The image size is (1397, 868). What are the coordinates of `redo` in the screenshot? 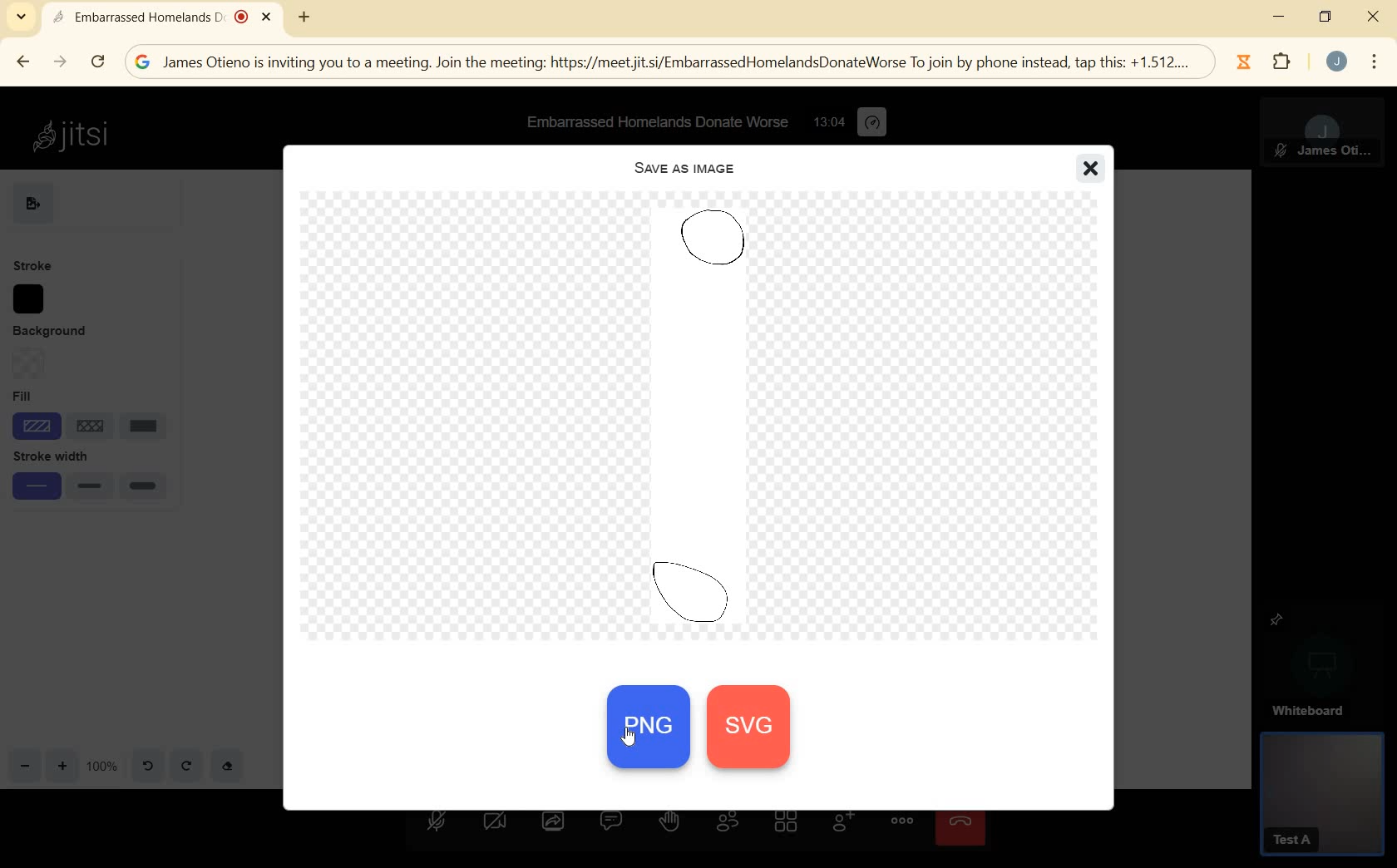 It's located at (187, 768).